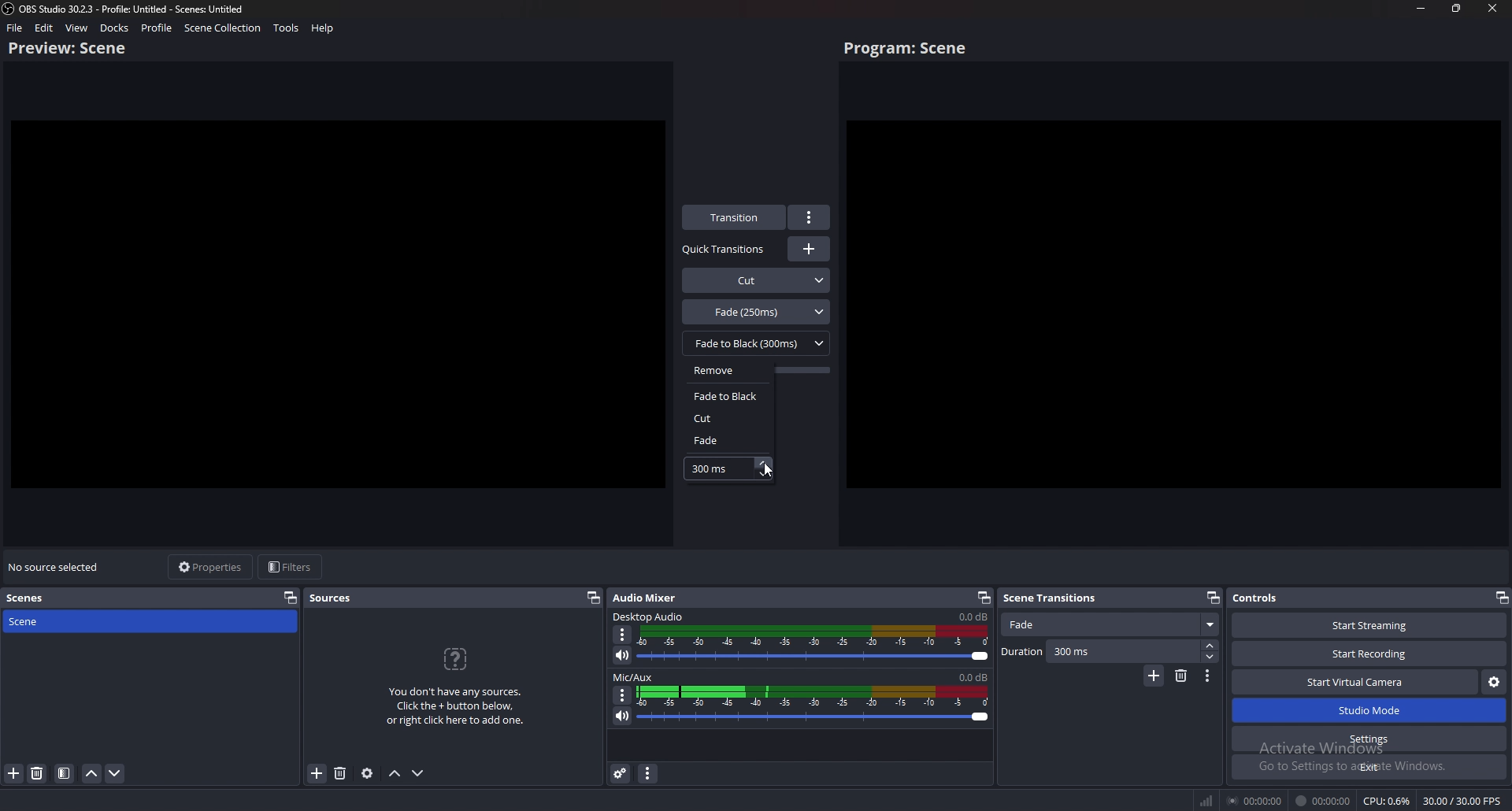 The image size is (1512, 811). What do you see at coordinates (1355, 682) in the screenshot?
I see `Start virtual camera` at bounding box center [1355, 682].